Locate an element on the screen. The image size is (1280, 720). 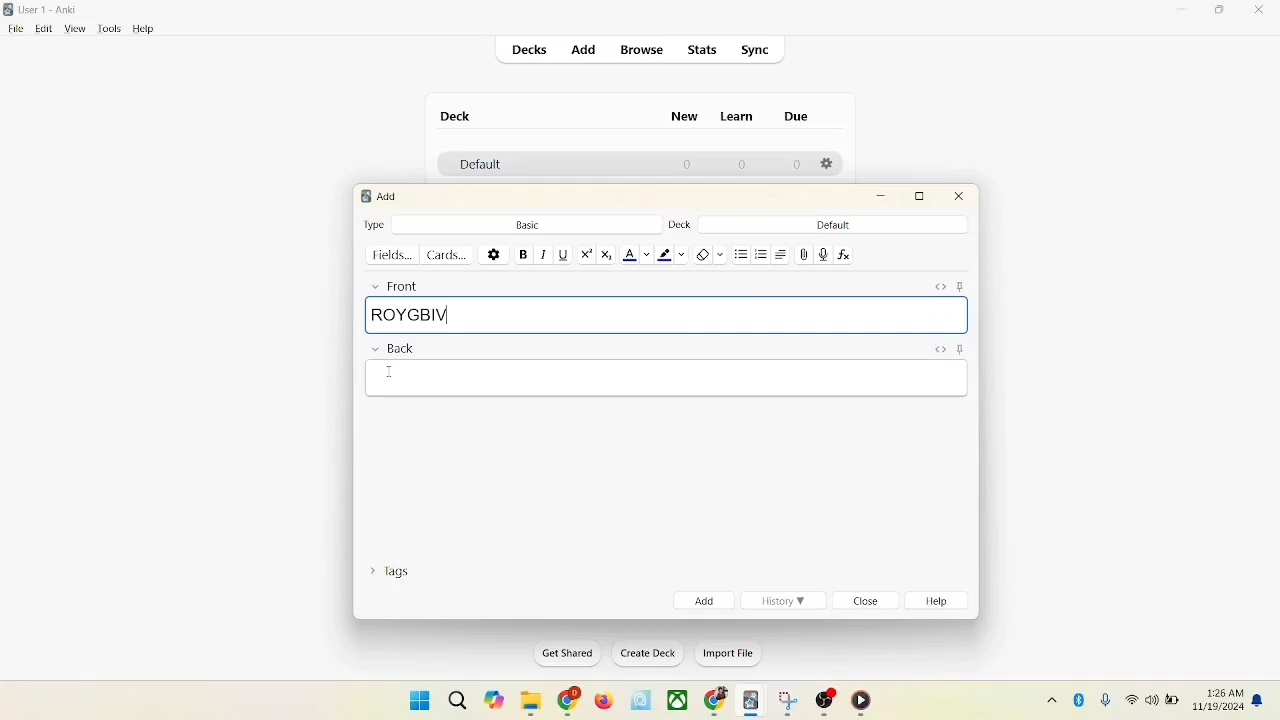
Options is located at coordinates (829, 165).